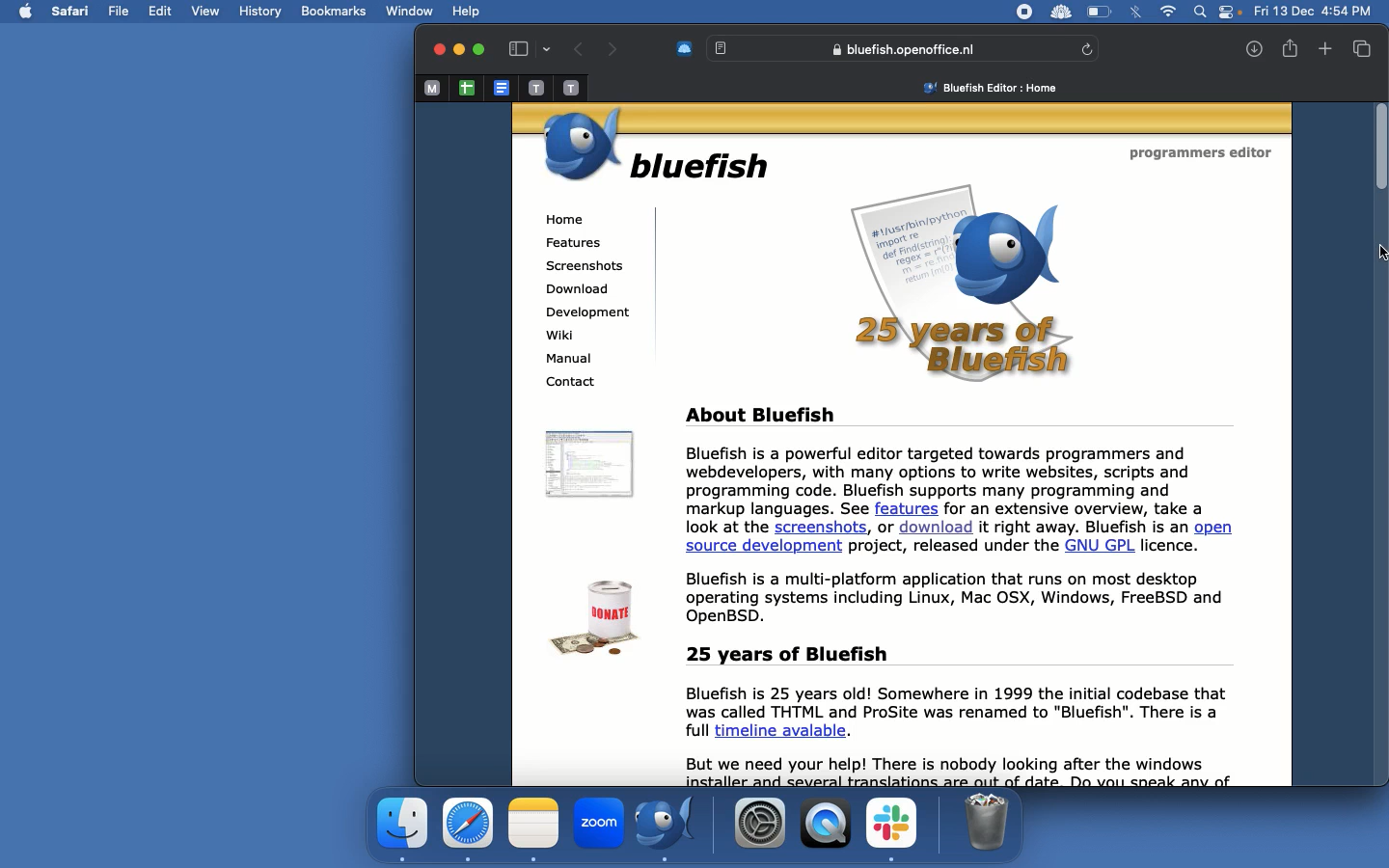 The image size is (1389, 868). Describe the element at coordinates (411, 10) in the screenshot. I see `Window` at that location.